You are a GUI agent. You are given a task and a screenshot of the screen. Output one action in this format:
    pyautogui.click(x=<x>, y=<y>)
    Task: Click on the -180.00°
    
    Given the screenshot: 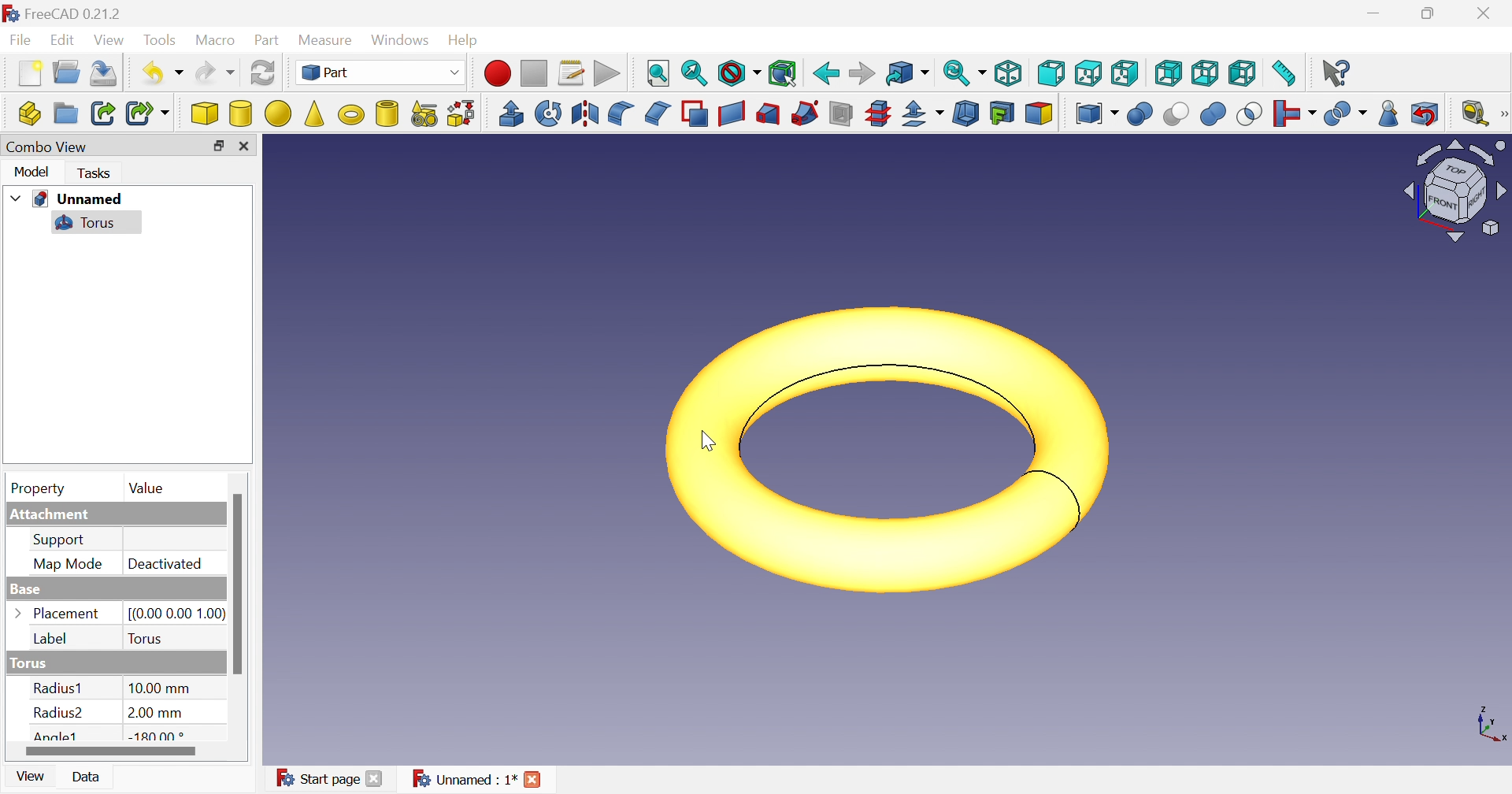 What is the action you would take?
    pyautogui.click(x=157, y=736)
    